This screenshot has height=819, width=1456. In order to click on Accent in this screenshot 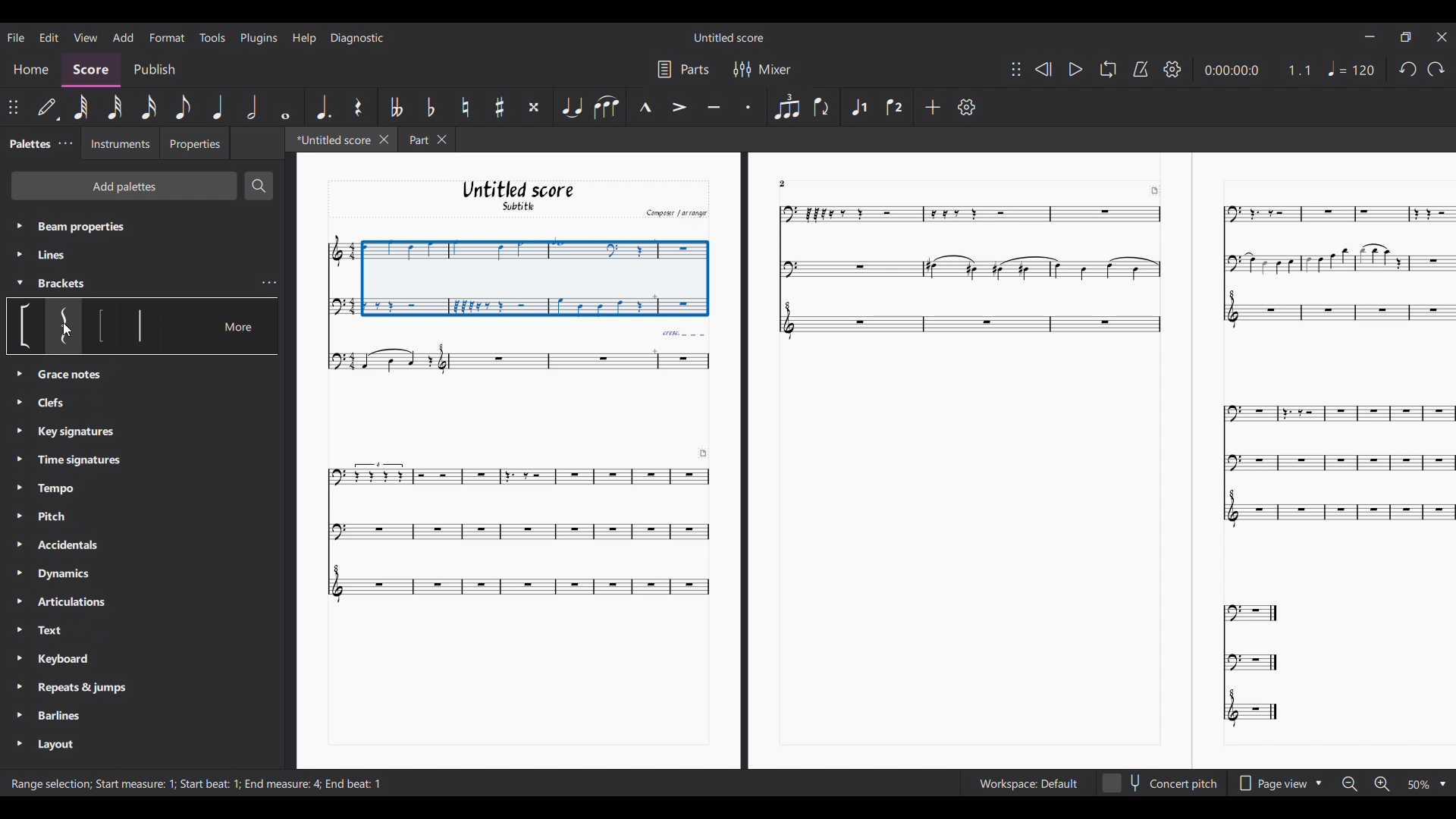, I will do `click(679, 107)`.